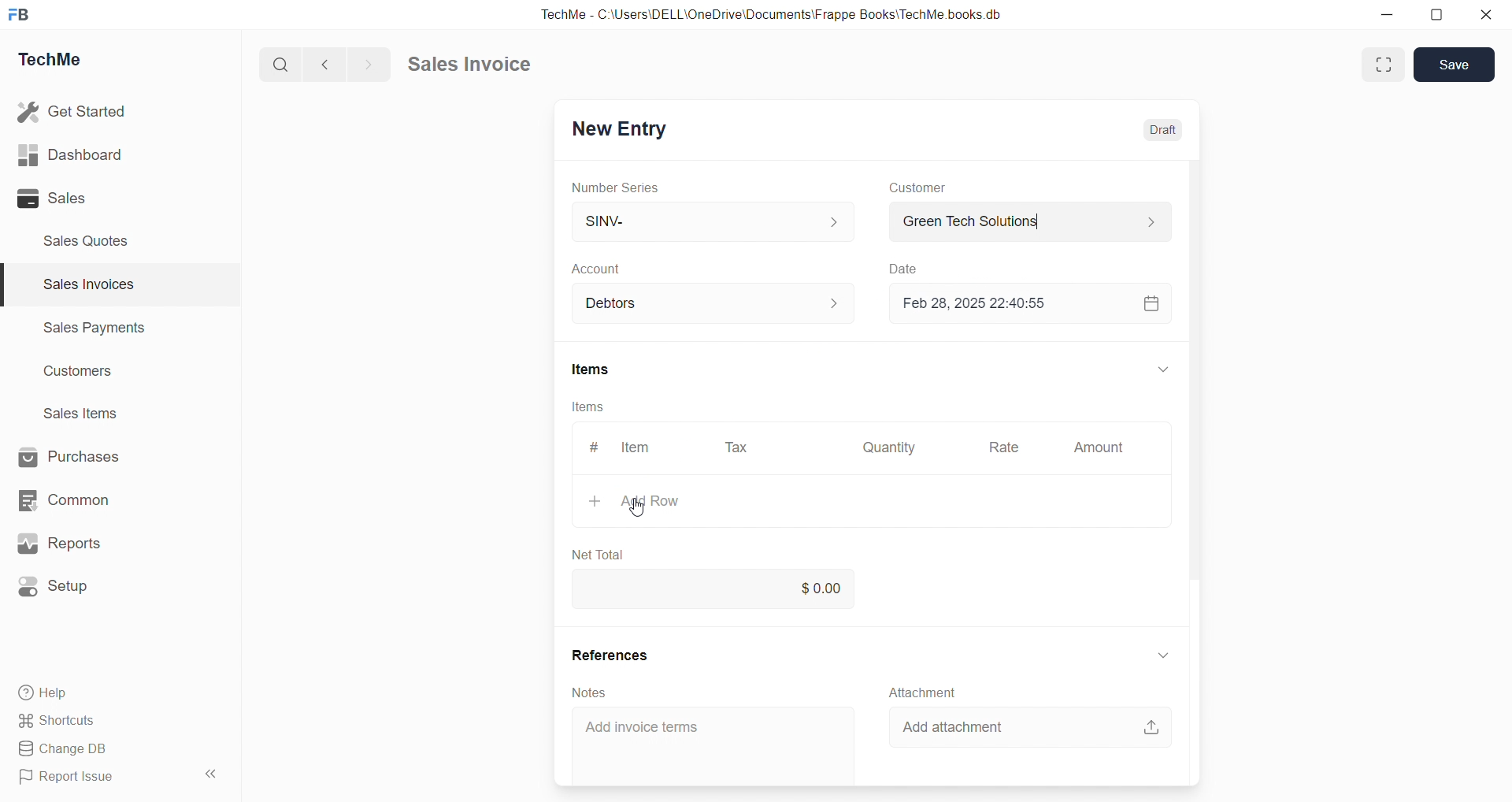 This screenshot has width=1512, height=802. What do you see at coordinates (951, 727) in the screenshot?
I see `Add attachment` at bounding box center [951, 727].